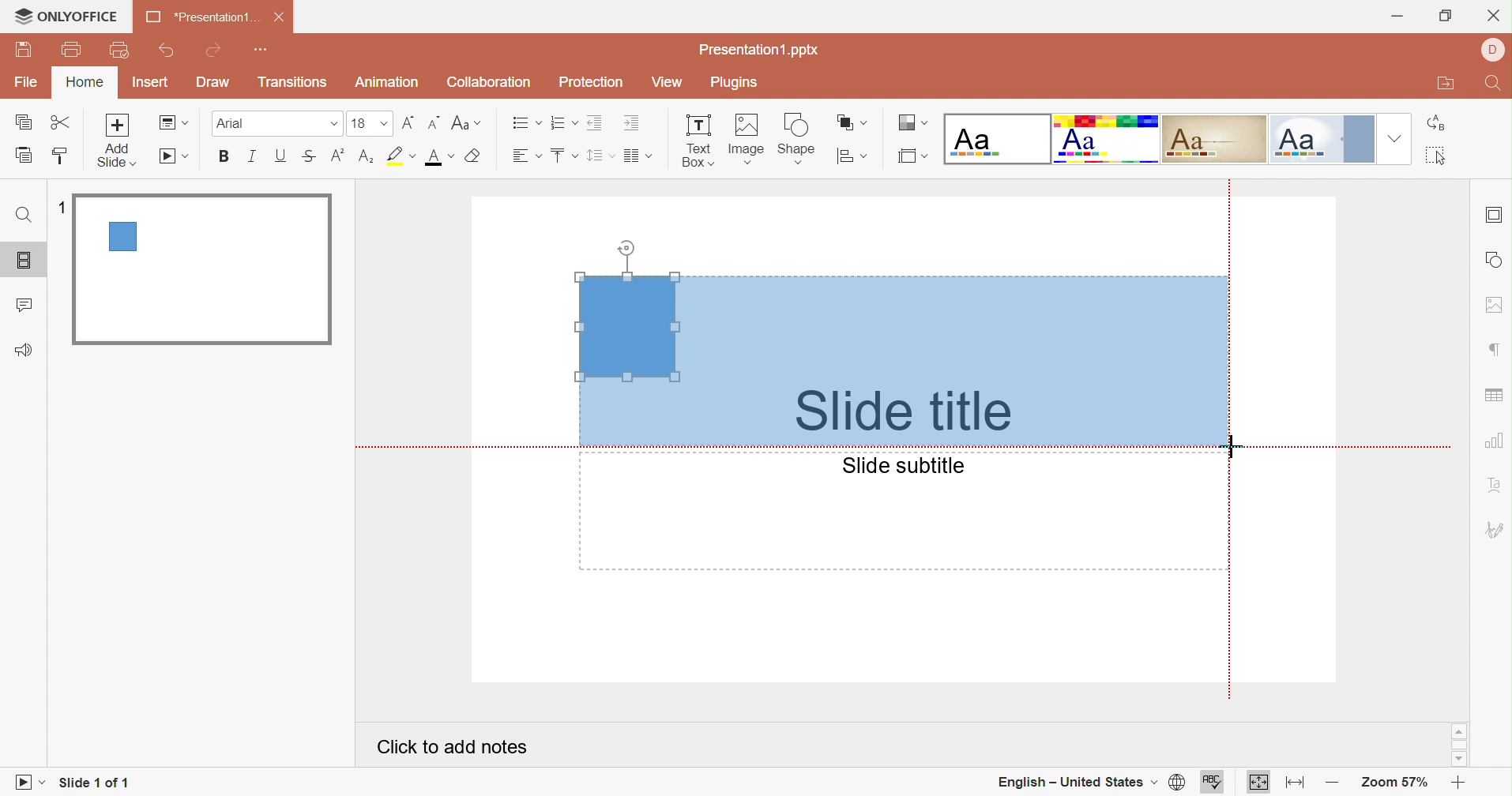  I want to click on Start slideshow, so click(175, 157).